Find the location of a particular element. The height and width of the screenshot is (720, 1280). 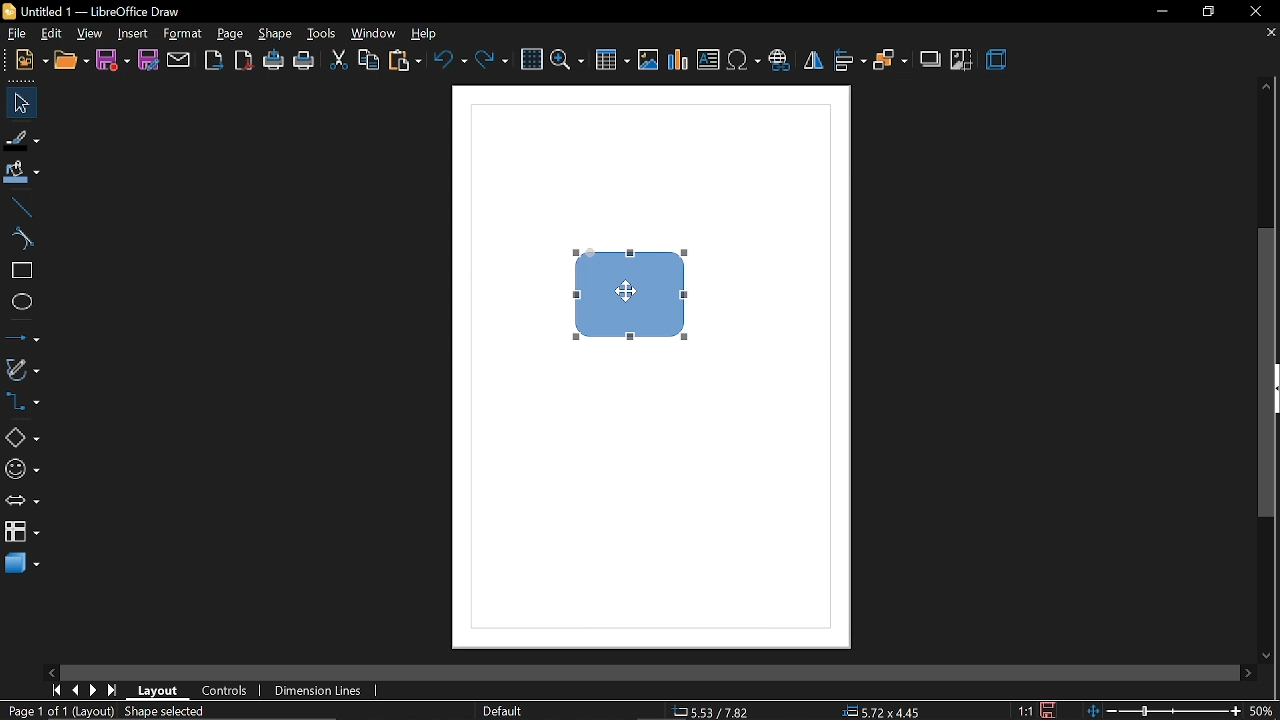

window is located at coordinates (375, 34).